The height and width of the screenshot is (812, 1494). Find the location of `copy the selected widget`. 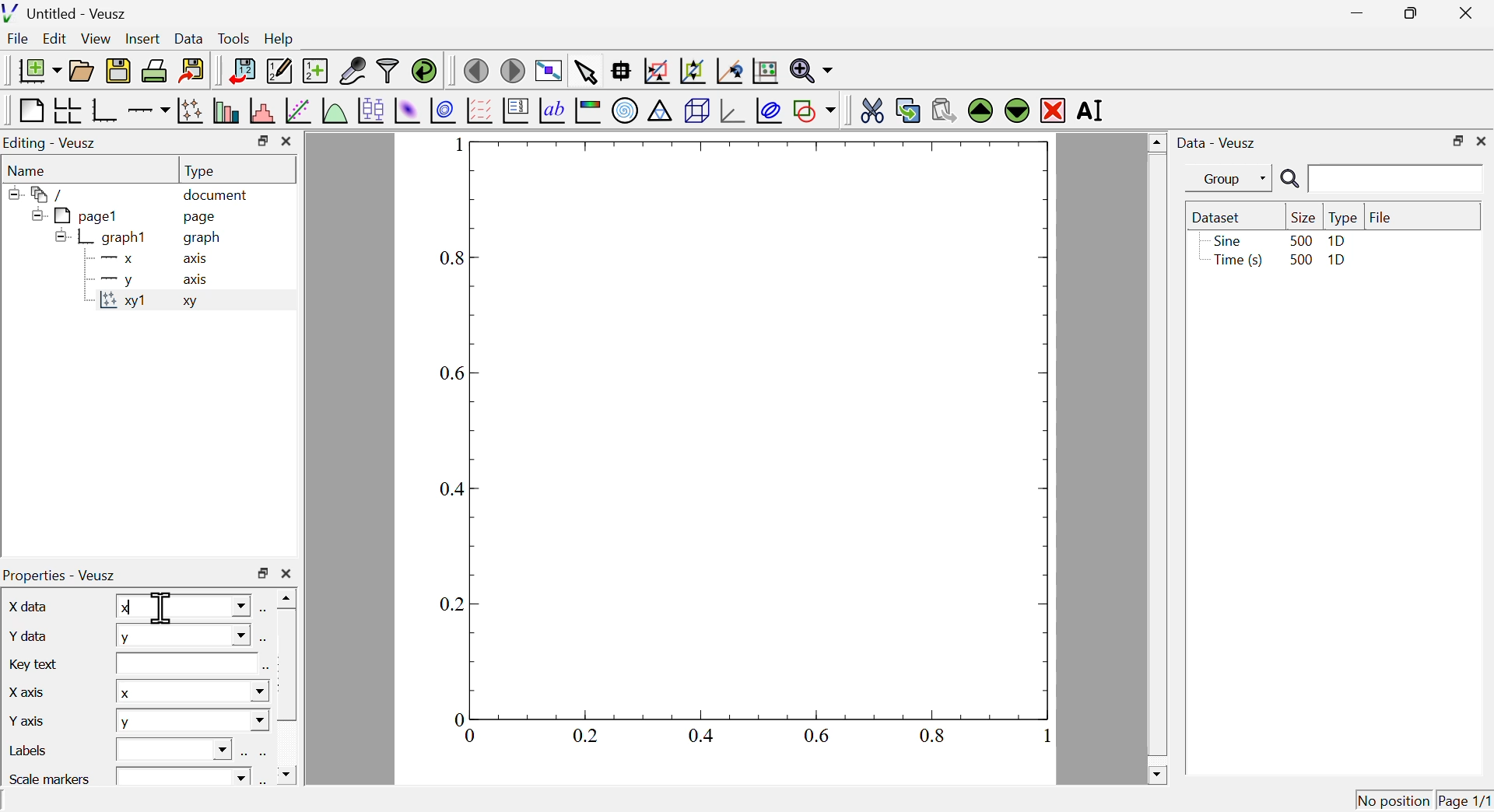

copy the selected widget is located at coordinates (908, 109).